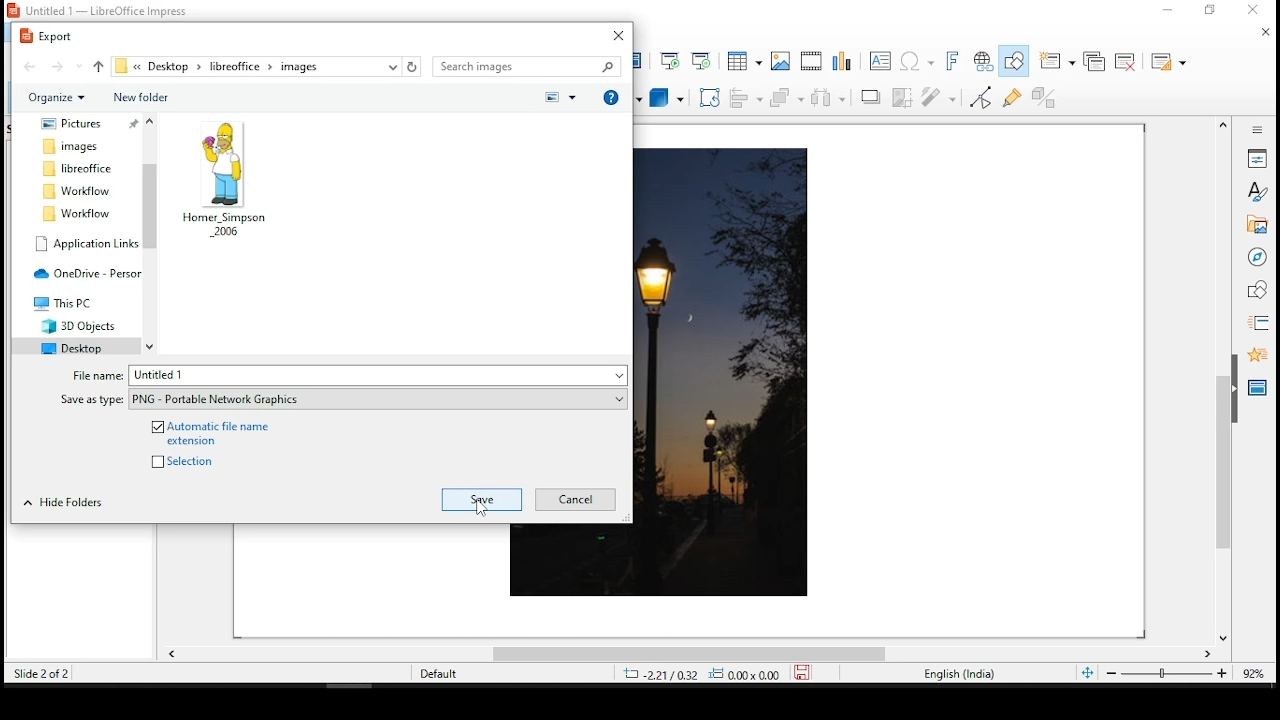 The image size is (1280, 720). Describe the element at coordinates (51, 36) in the screenshot. I see `export` at that location.